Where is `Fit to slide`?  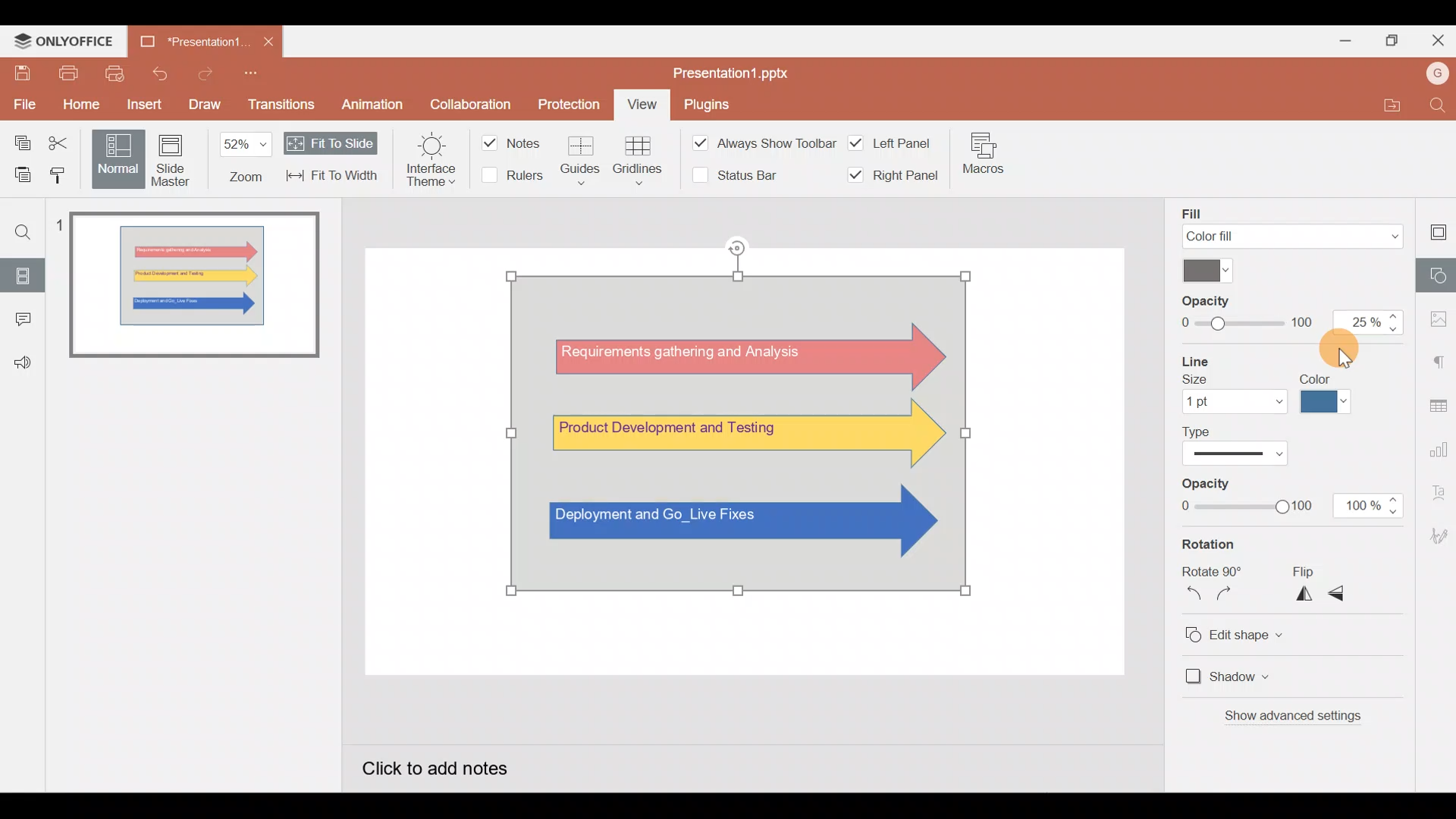
Fit to slide is located at coordinates (331, 142).